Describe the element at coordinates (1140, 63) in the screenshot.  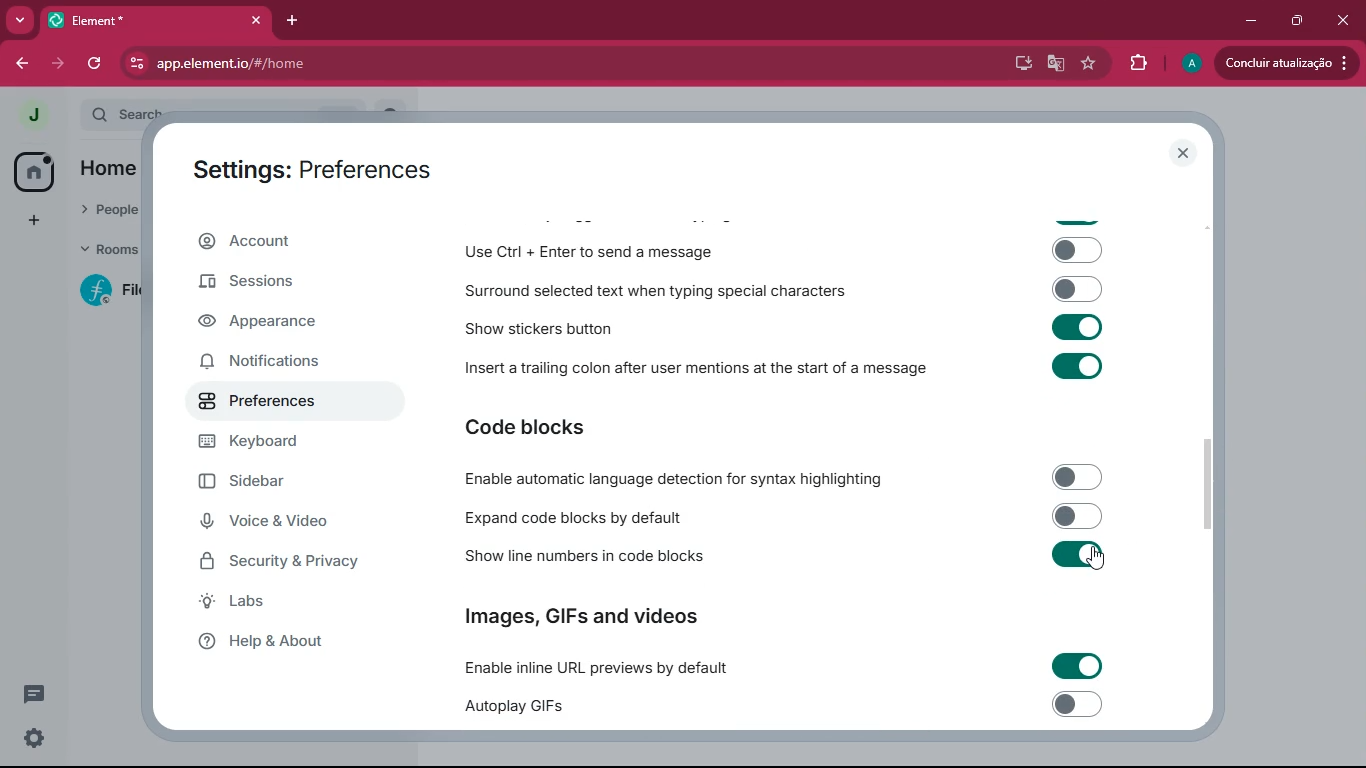
I see `extensions` at that location.